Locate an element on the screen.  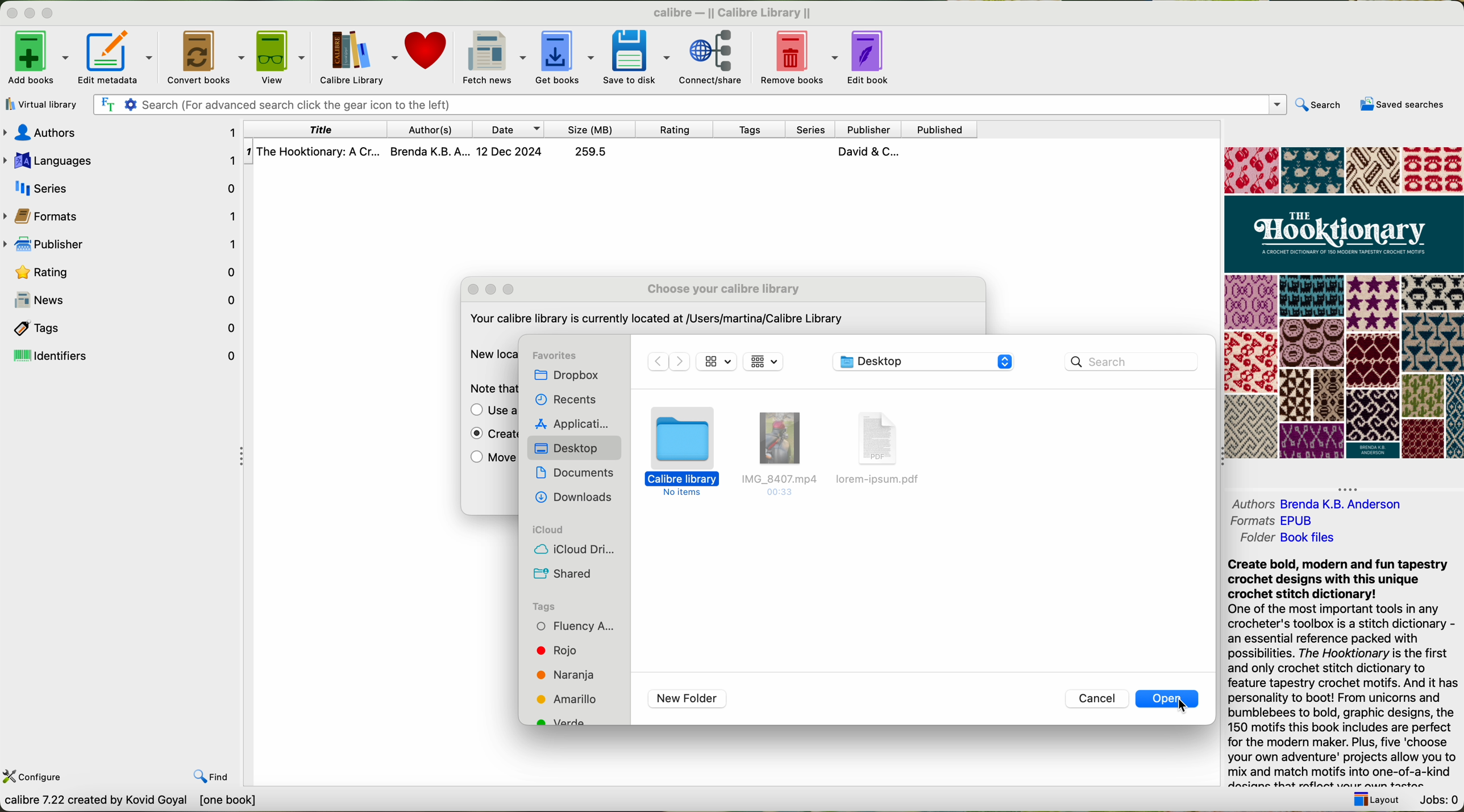
Forward is located at coordinates (681, 362).